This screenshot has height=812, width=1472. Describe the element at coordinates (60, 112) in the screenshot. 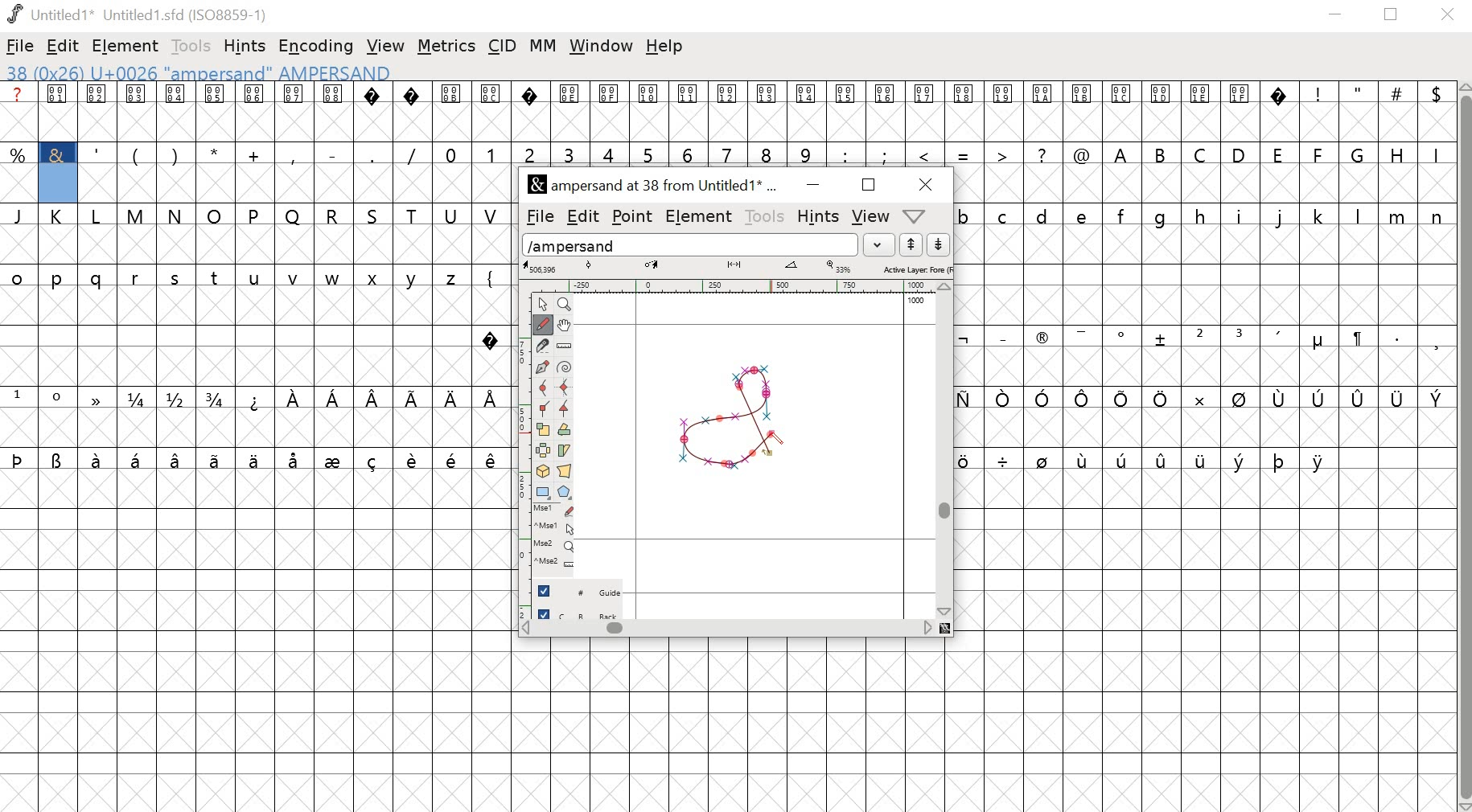

I see `0001` at that location.